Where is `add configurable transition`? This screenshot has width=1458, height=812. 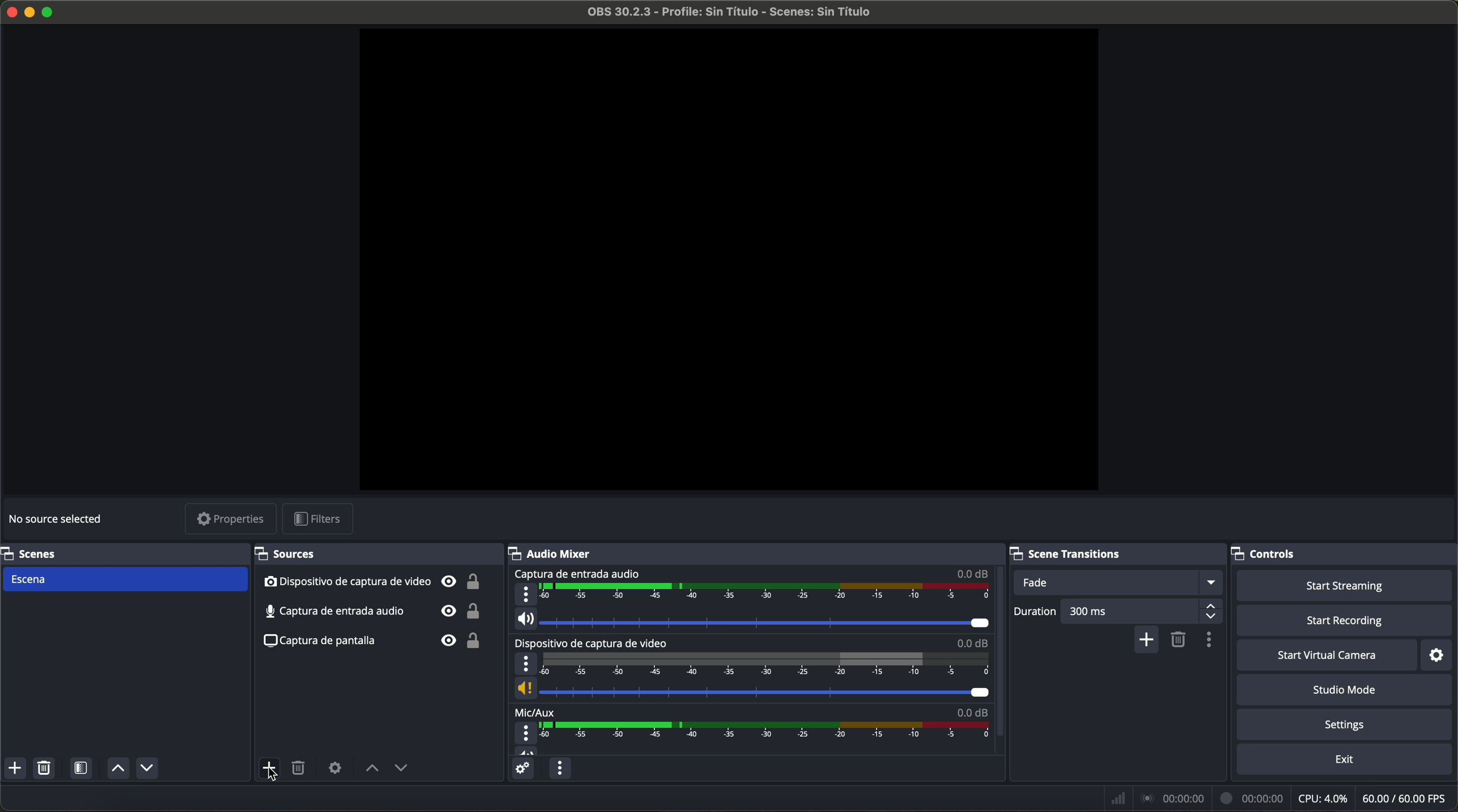
add configurable transition is located at coordinates (1147, 641).